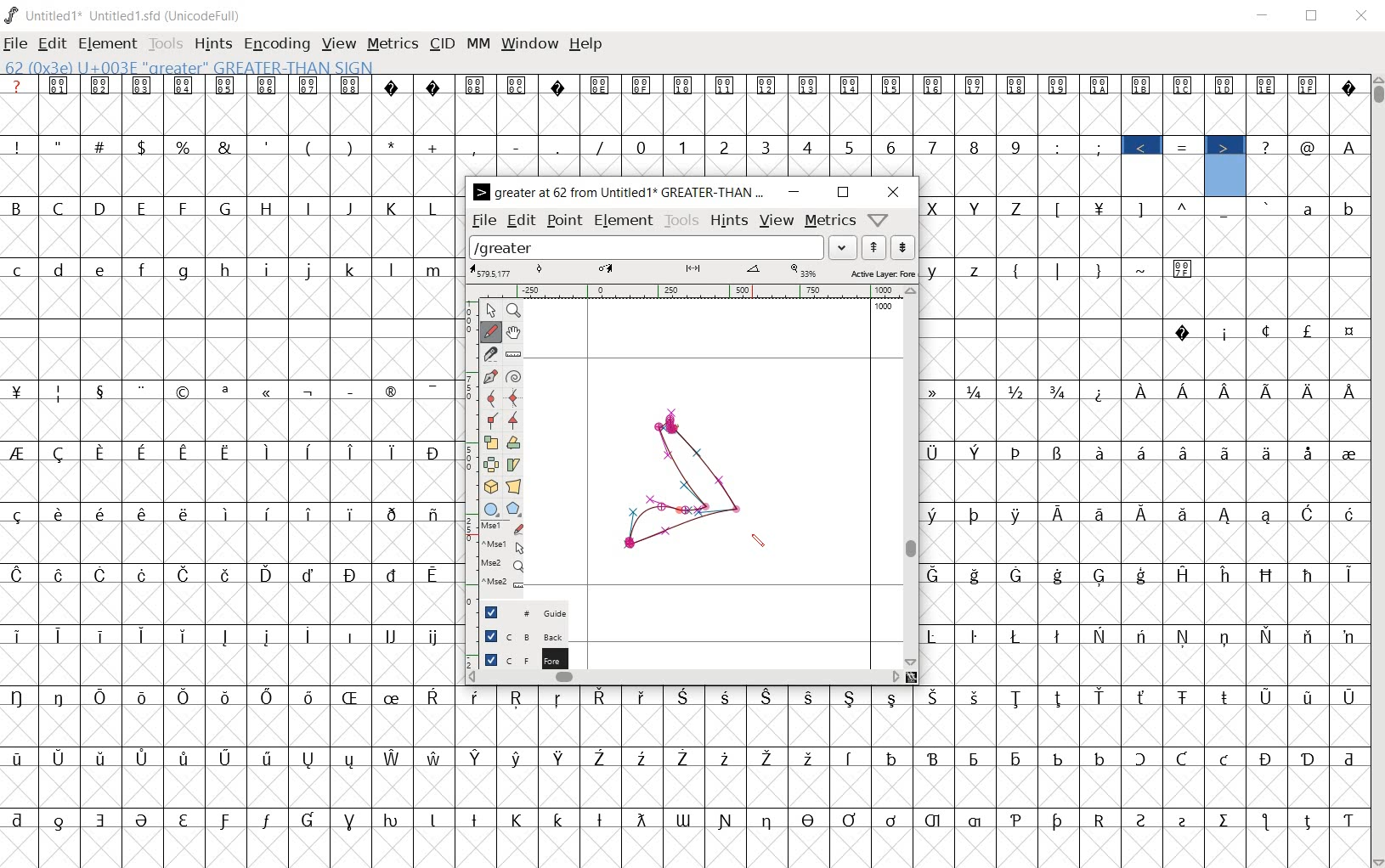  What do you see at coordinates (503, 555) in the screenshot?
I see `mse1 mse1 mse2 mse2` at bounding box center [503, 555].